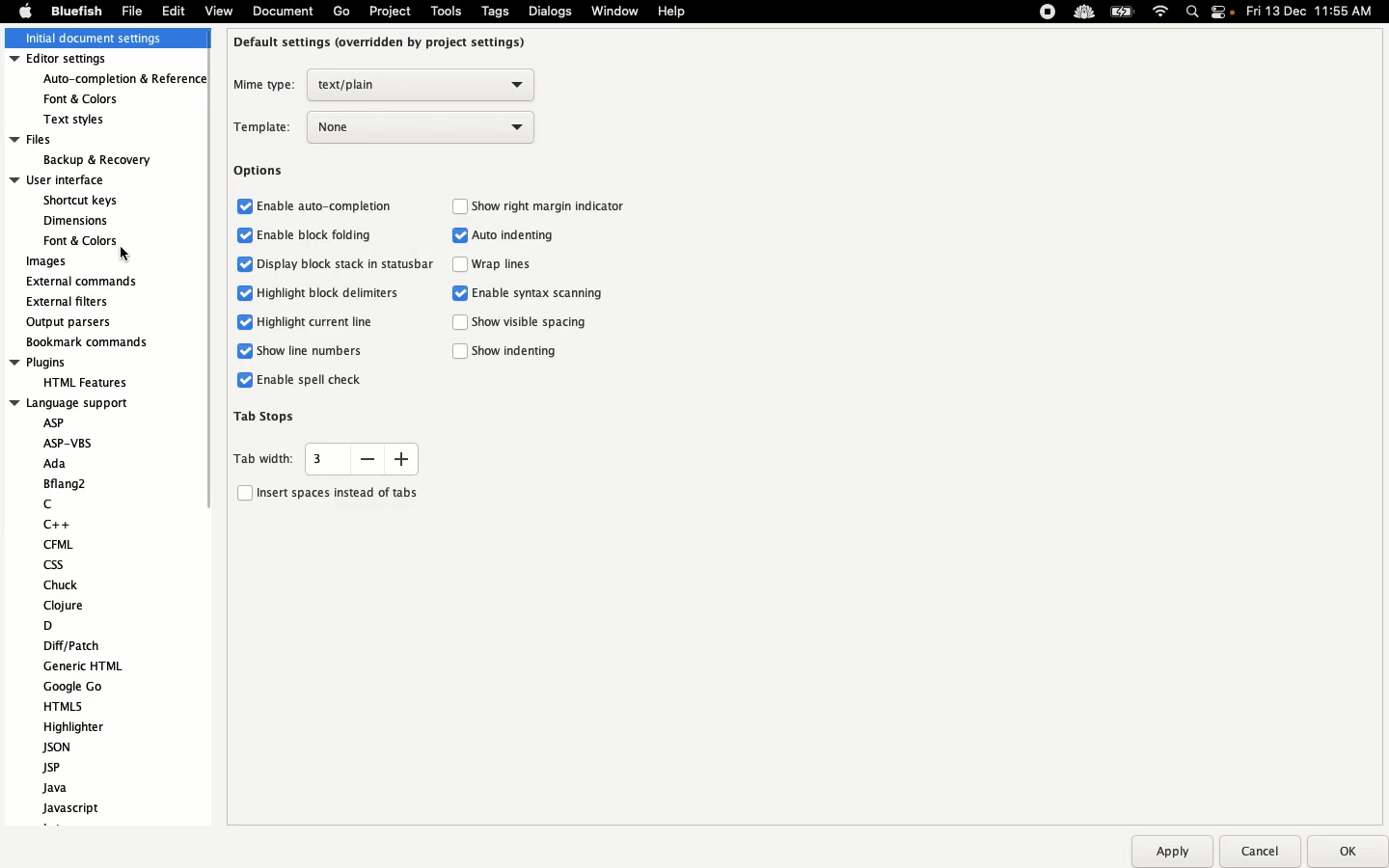  What do you see at coordinates (316, 204) in the screenshot?
I see `Enable auto completion ` at bounding box center [316, 204].